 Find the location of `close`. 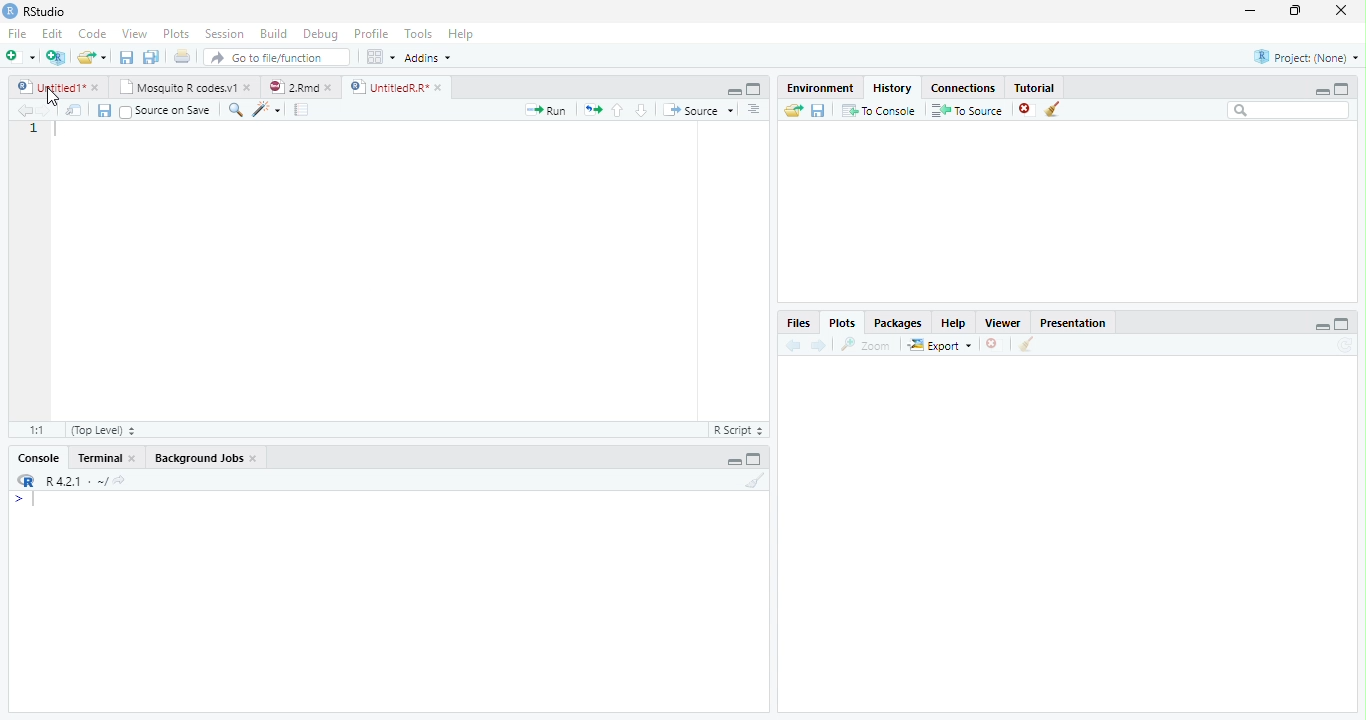

close is located at coordinates (993, 344).